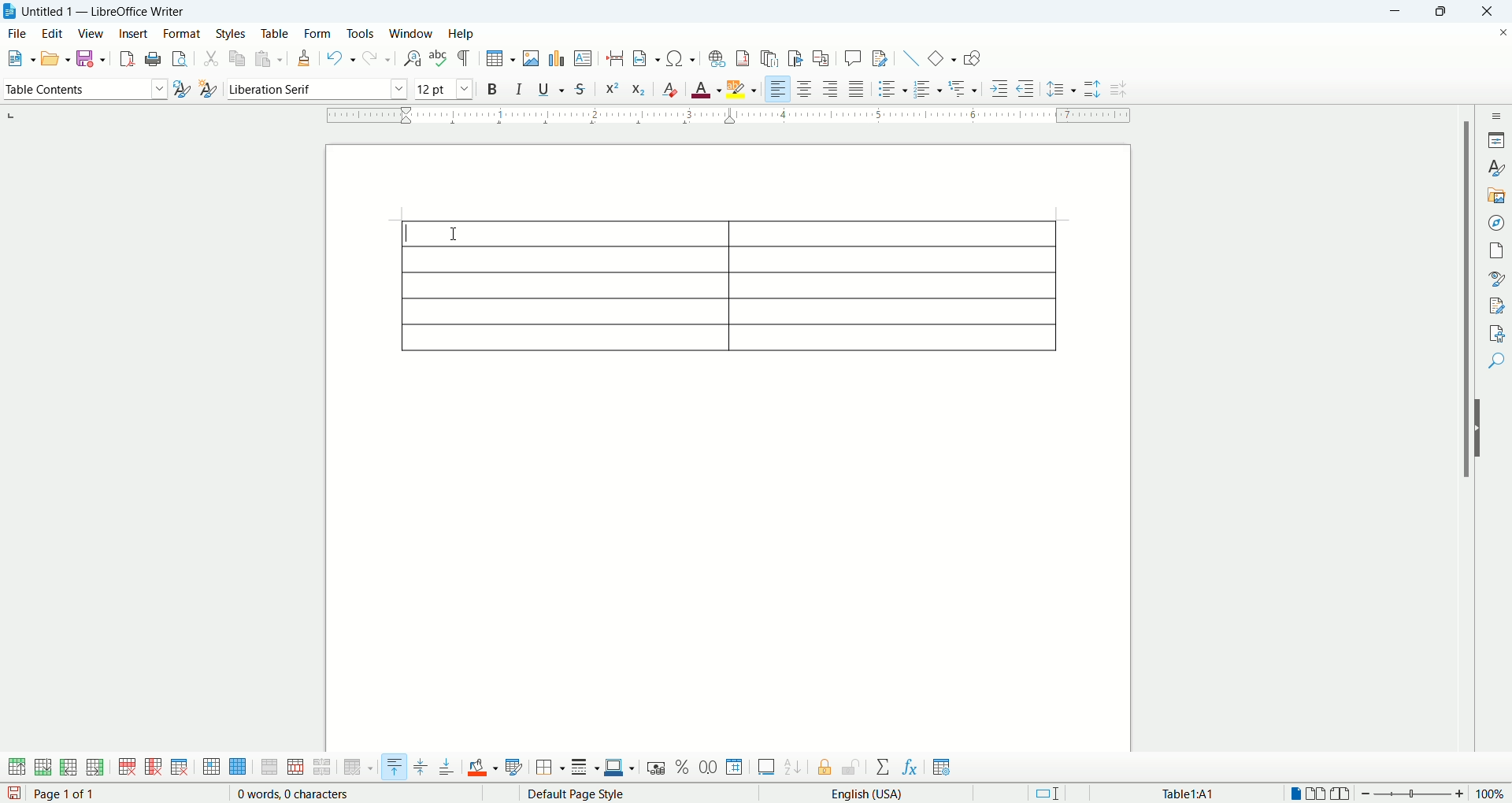 The height and width of the screenshot is (803, 1512). What do you see at coordinates (182, 91) in the screenshot?
I see `selected style` at bounding box center [182, 91].